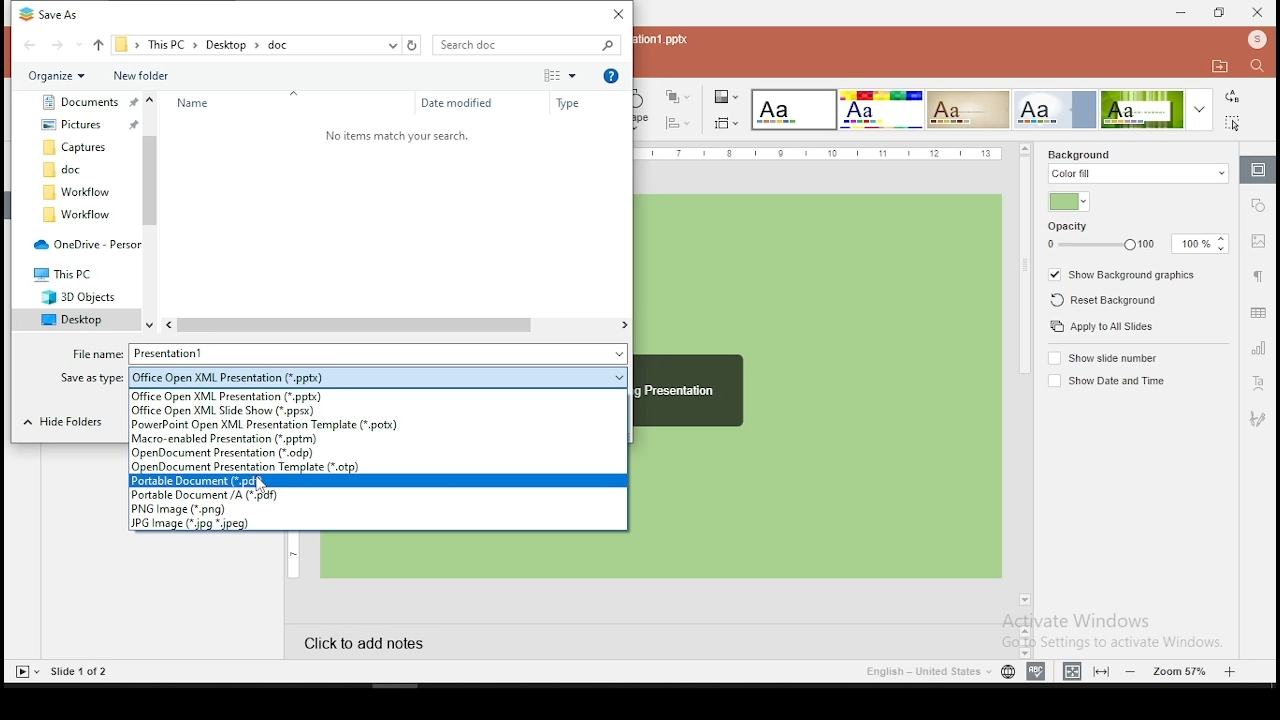 This screenshot has height=720, width=1280. I want to click on portable document, so click(378, 481).